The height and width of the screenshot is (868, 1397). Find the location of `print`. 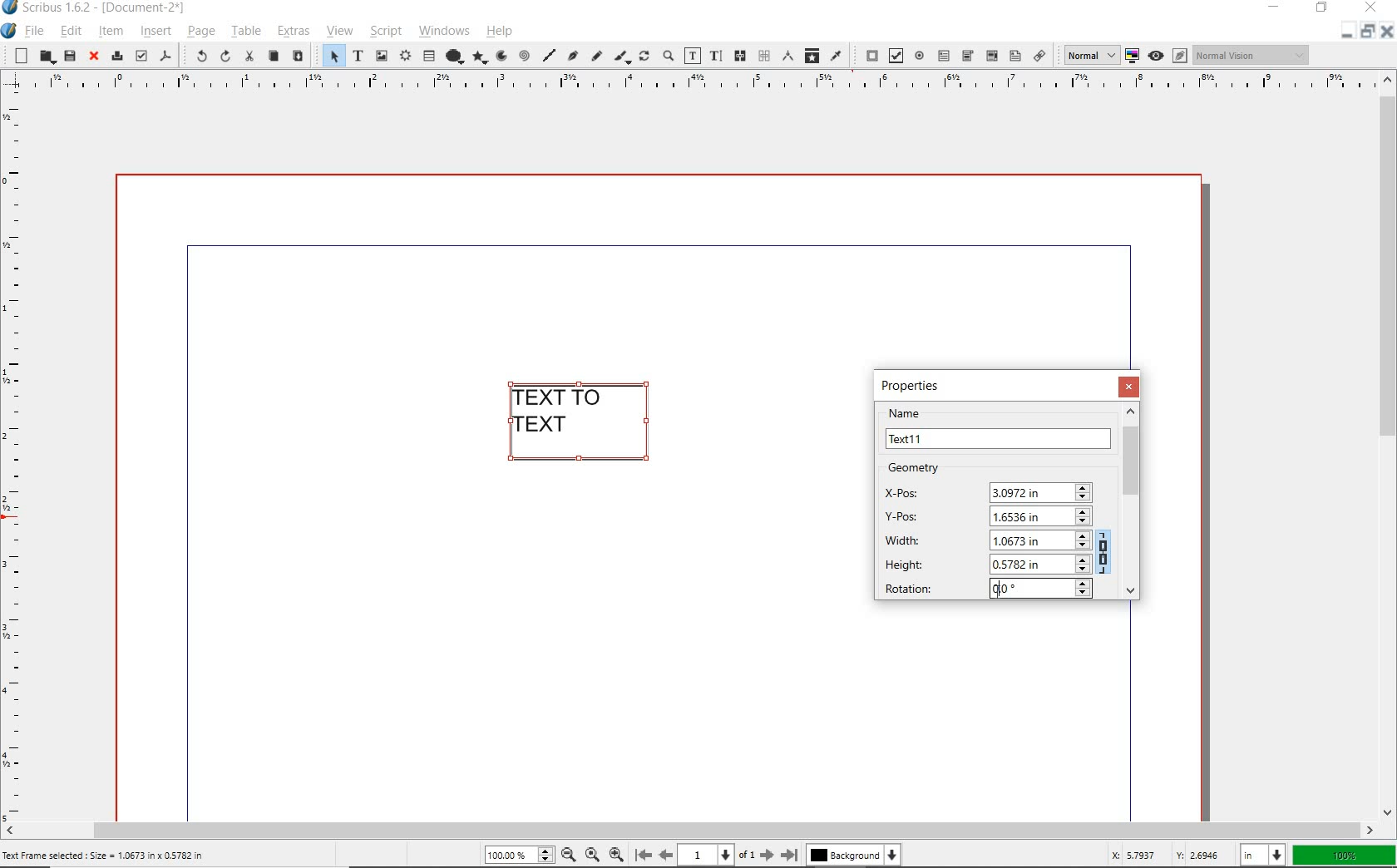

print is located at coordinates (116, 57).